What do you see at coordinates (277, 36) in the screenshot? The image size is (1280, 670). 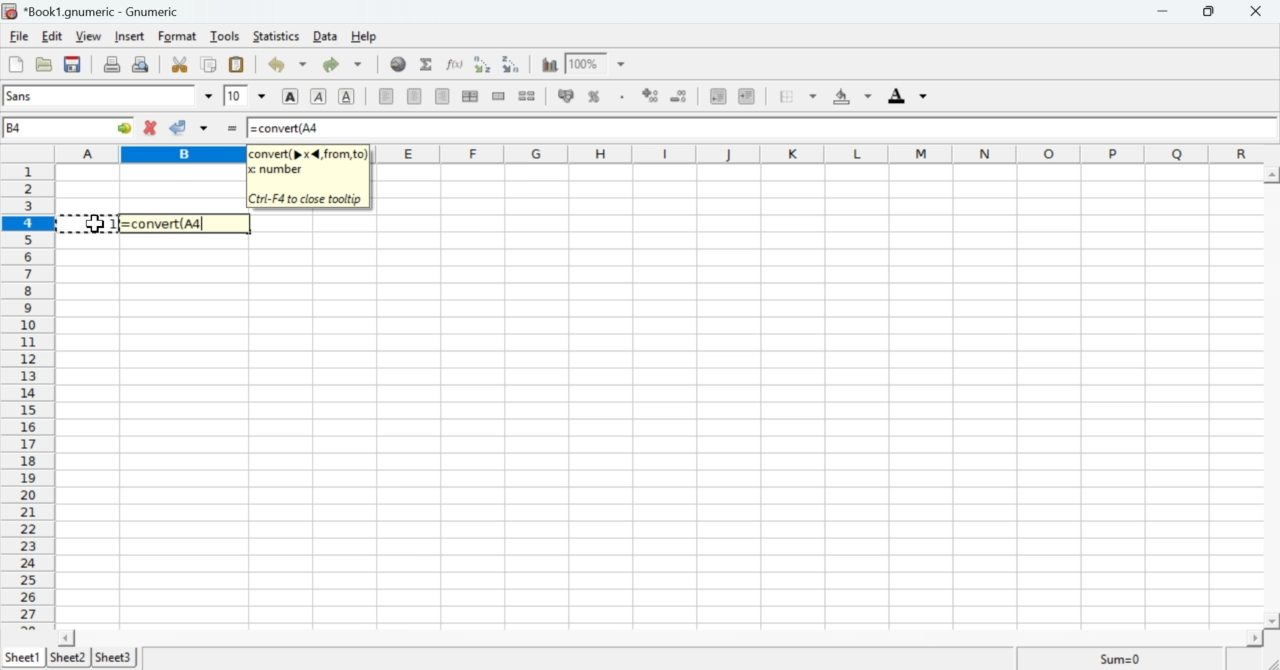 I see `Statistics` at bounding box center [277, 36].